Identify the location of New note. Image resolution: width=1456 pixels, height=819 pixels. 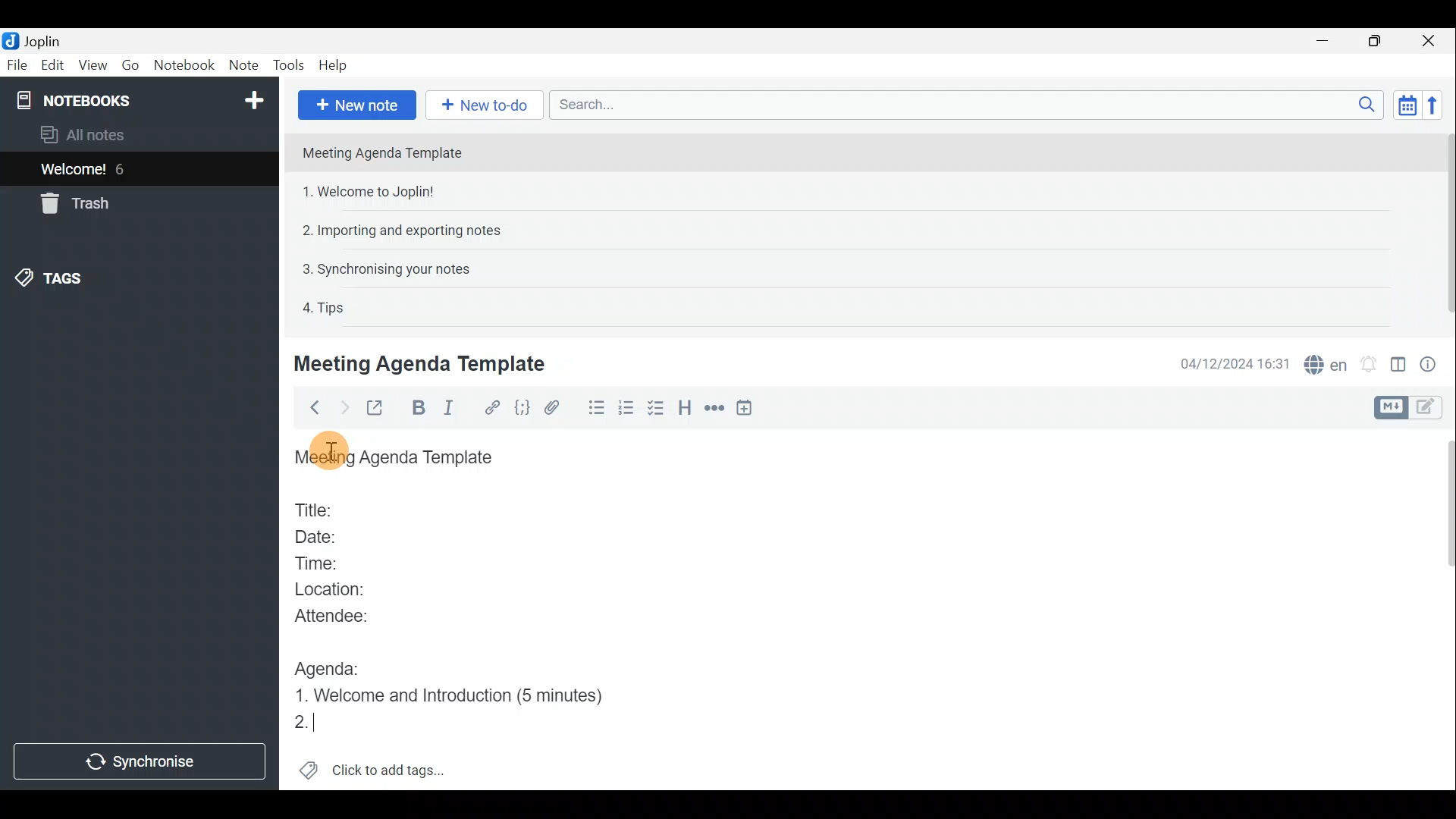
(357, 105).